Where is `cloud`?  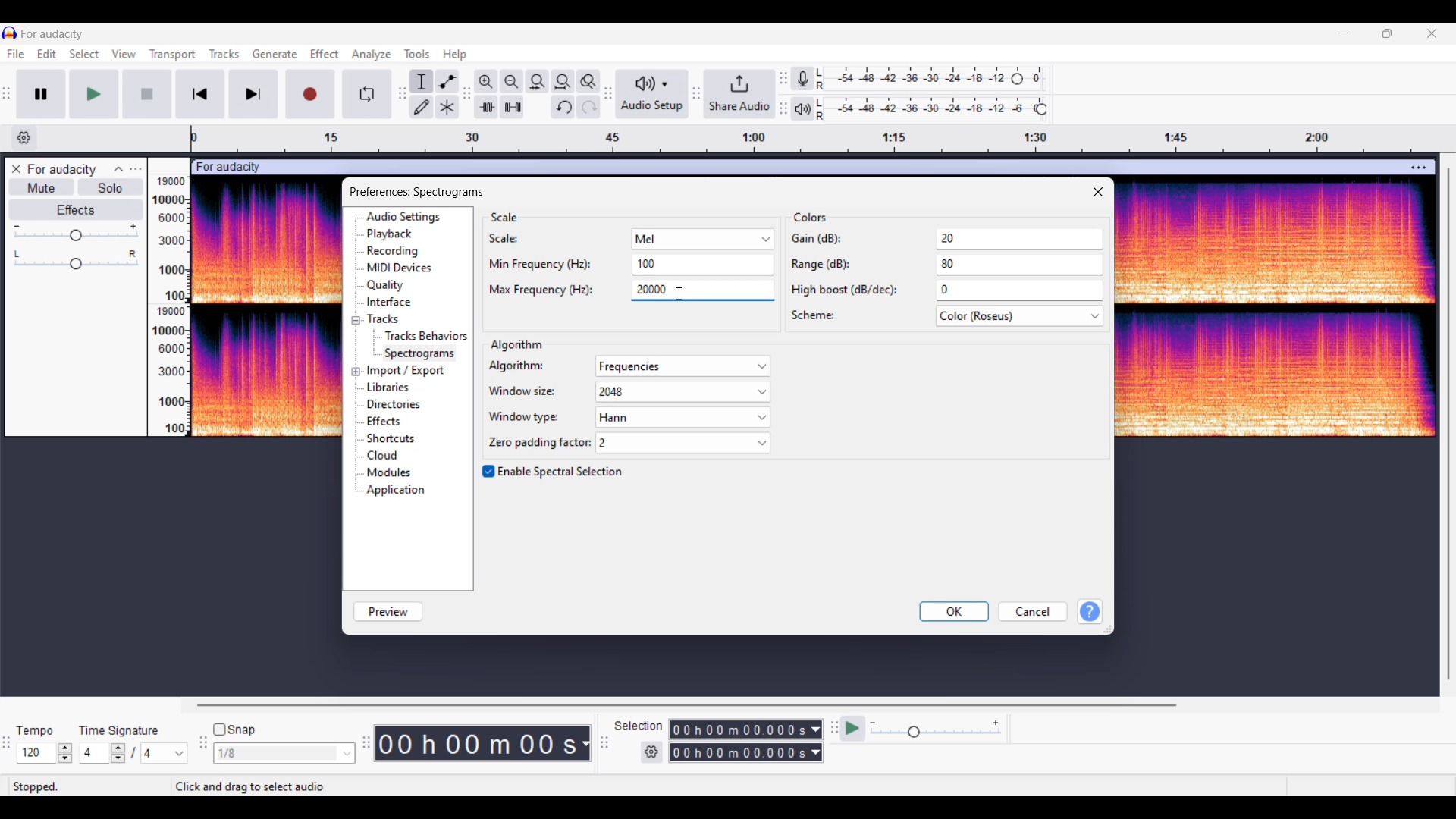 cloud is located at coordinates (388, 457).